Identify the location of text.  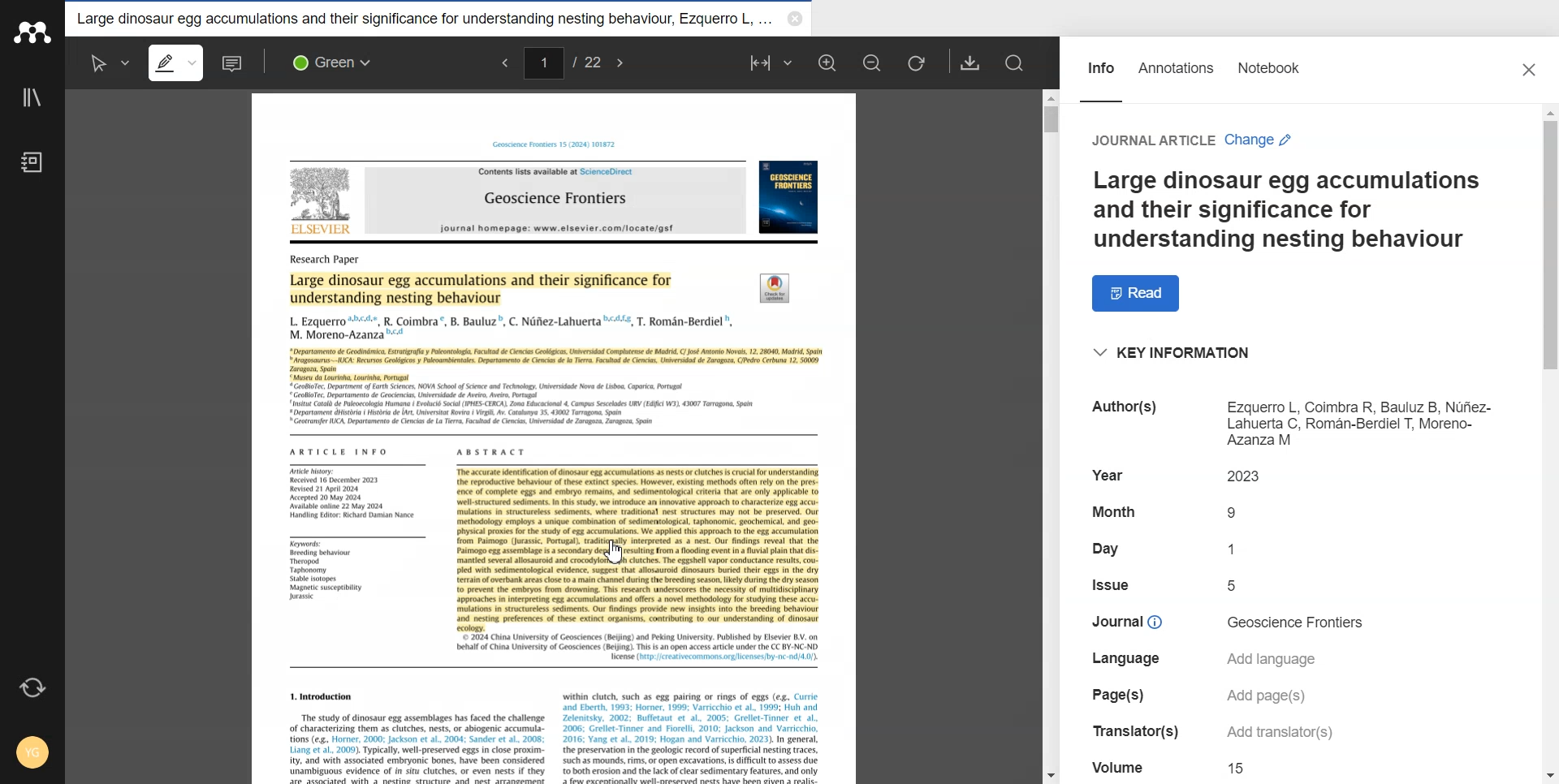
(1235, 585).